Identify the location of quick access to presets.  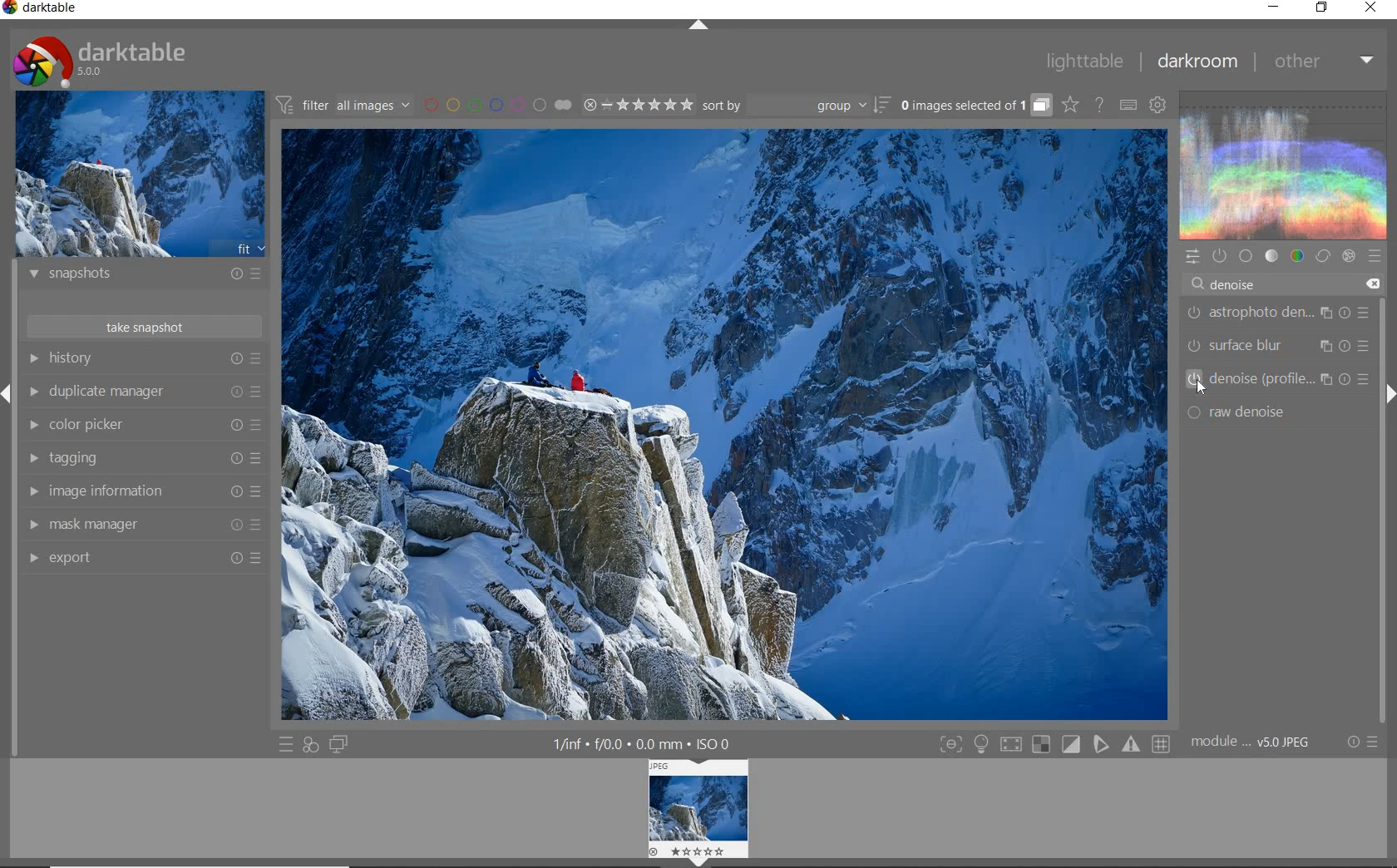
(286, 745).